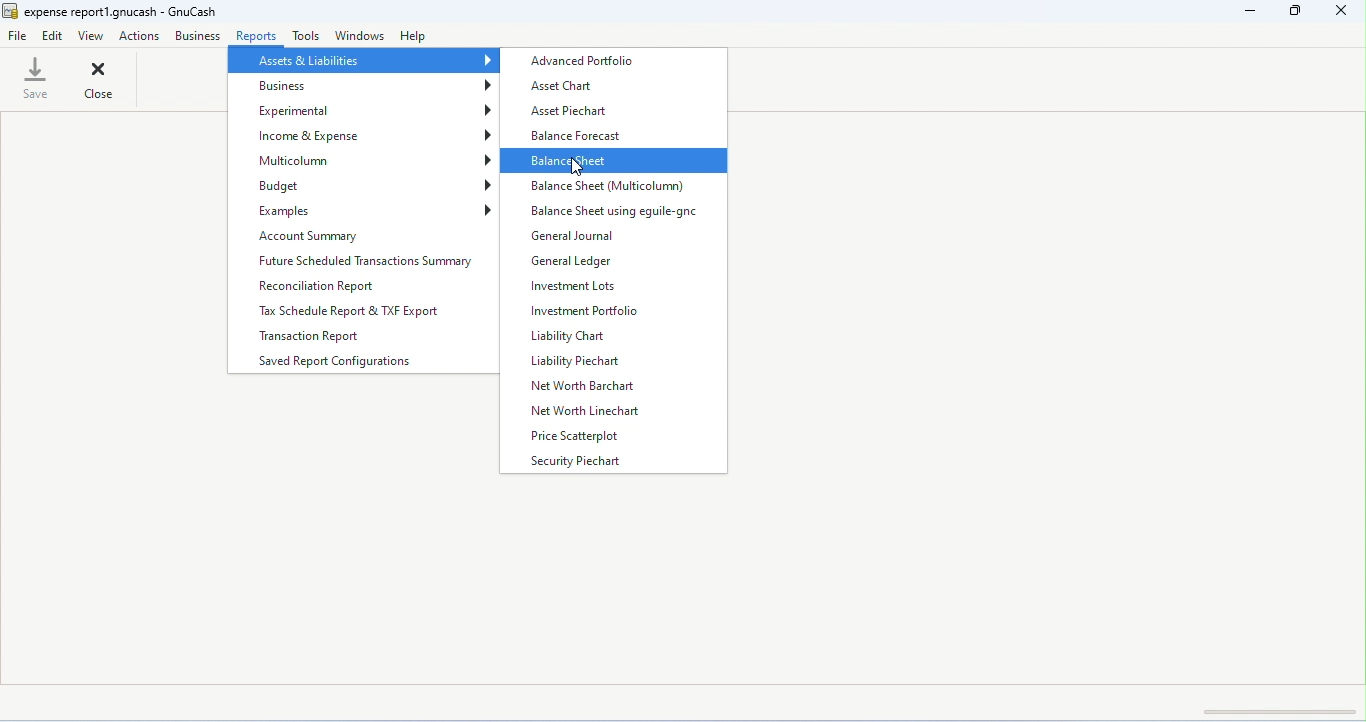 Image resolution: width=1366 pixels, height=722 pixels. Describe the element at coordinates (363, 235) in the screenshot. I see `account summary` at that location.